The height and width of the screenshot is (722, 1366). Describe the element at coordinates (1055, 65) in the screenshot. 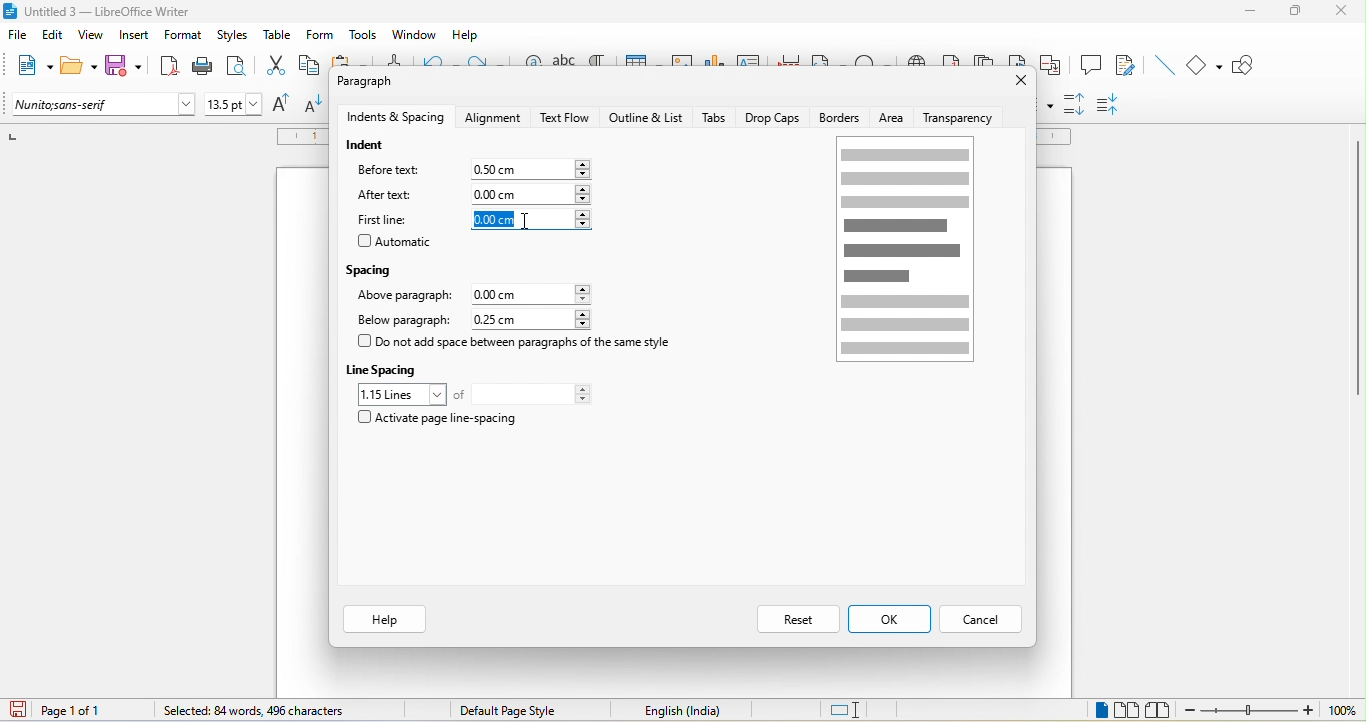

I see `cross reference` at that location.